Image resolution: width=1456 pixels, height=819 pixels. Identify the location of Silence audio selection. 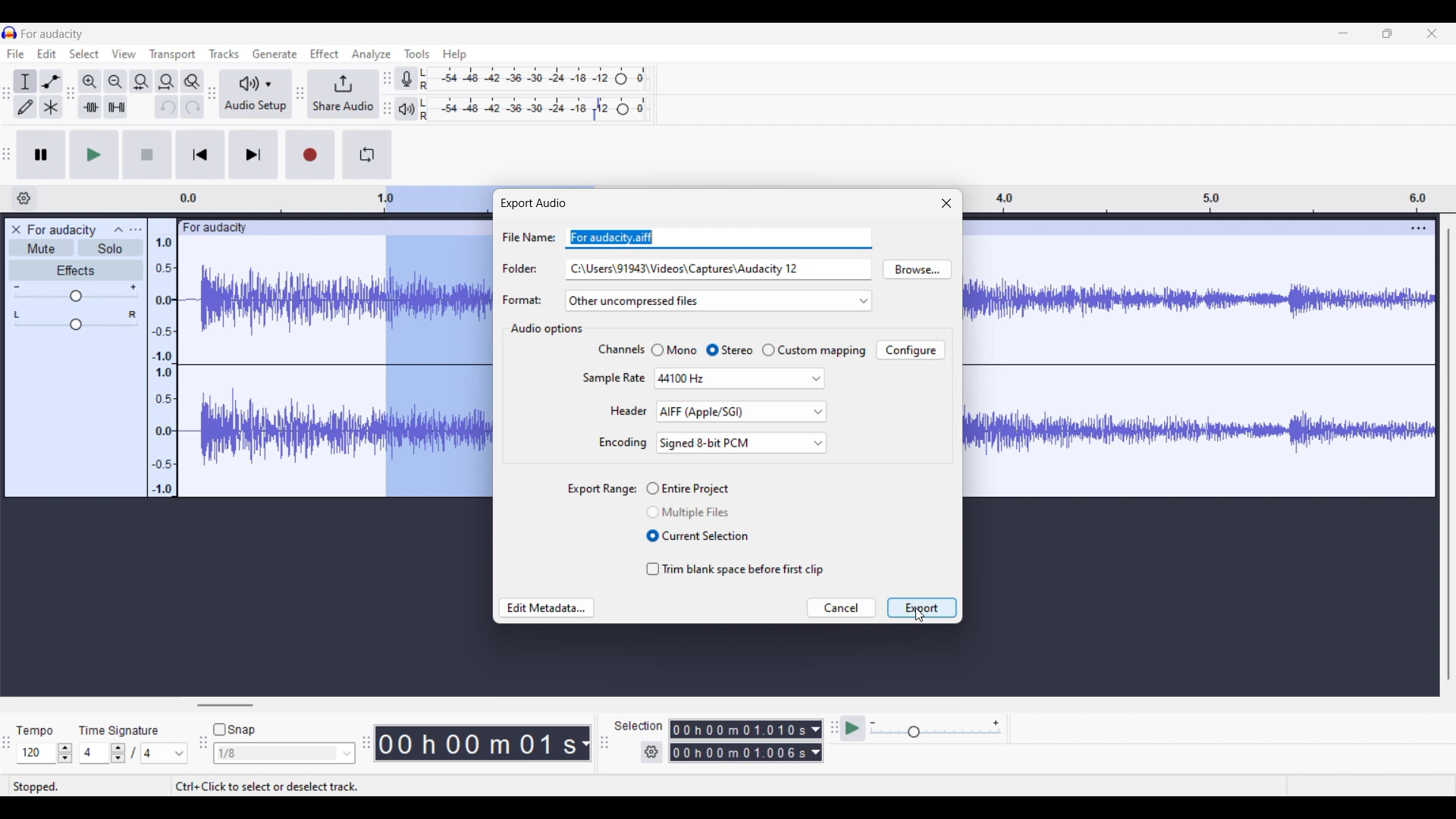
(116, 107).